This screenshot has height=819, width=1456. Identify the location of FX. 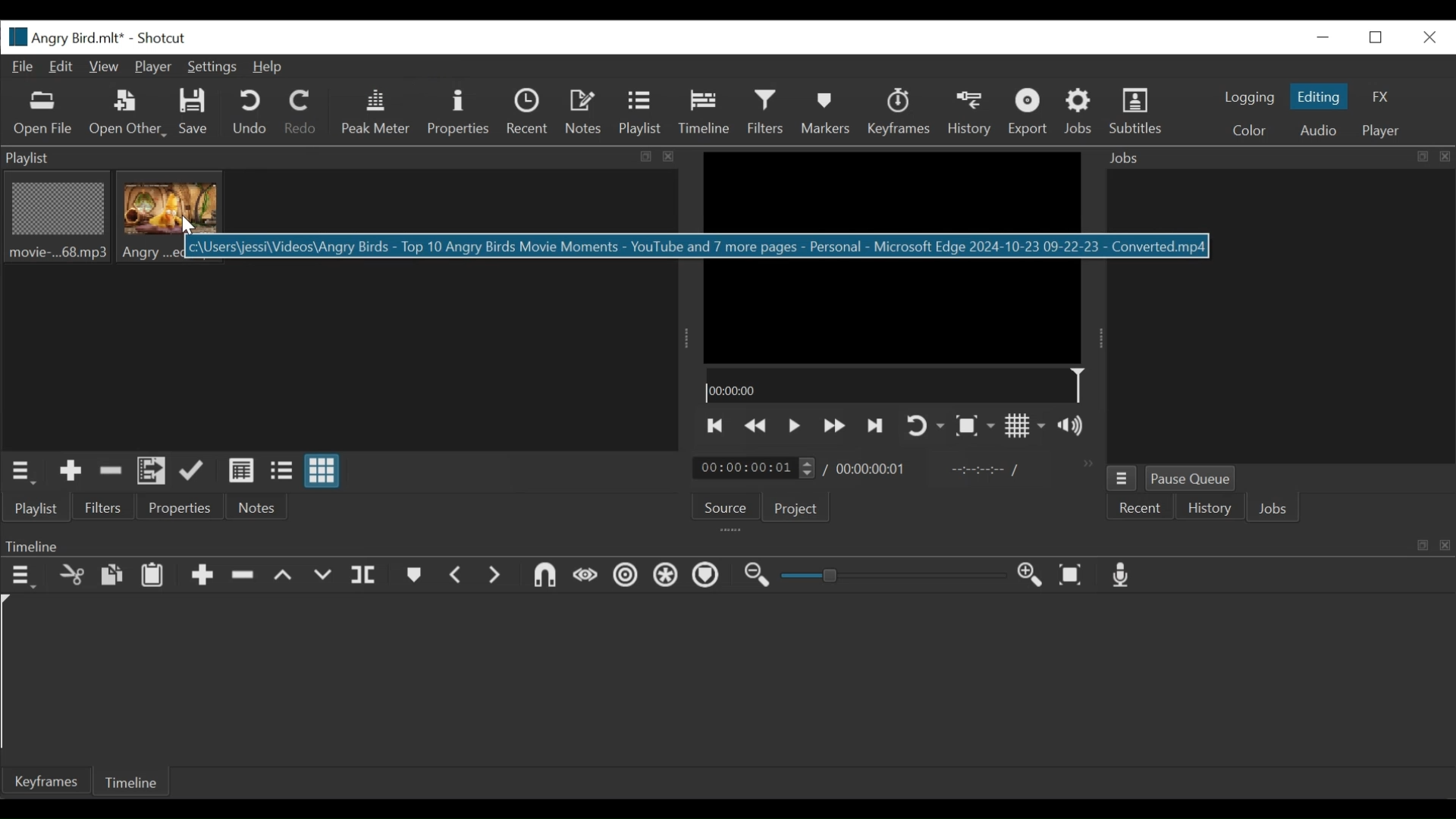
(1382, 96).